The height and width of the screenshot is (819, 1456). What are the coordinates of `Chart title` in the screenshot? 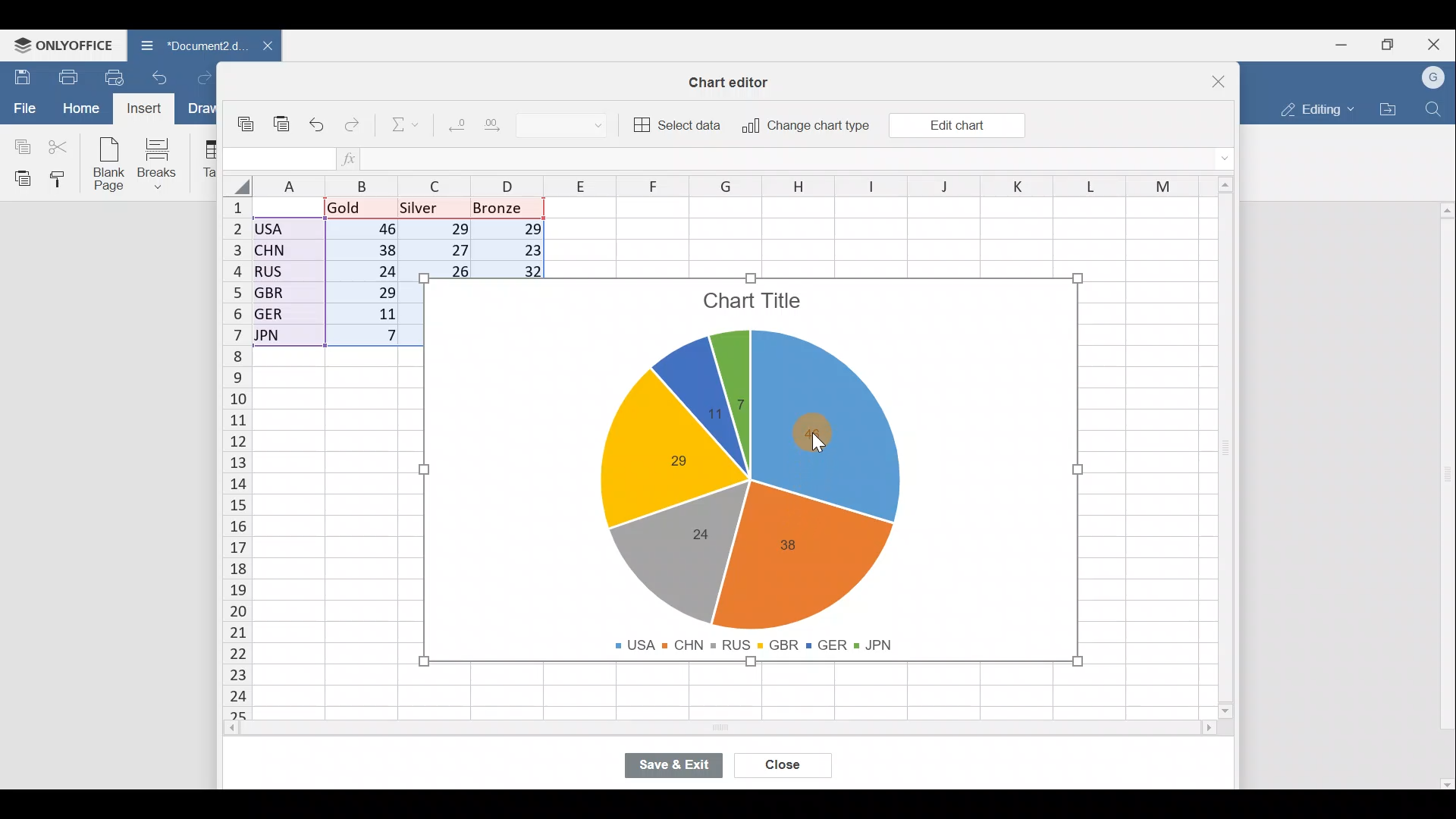 It's located at (755, 304).